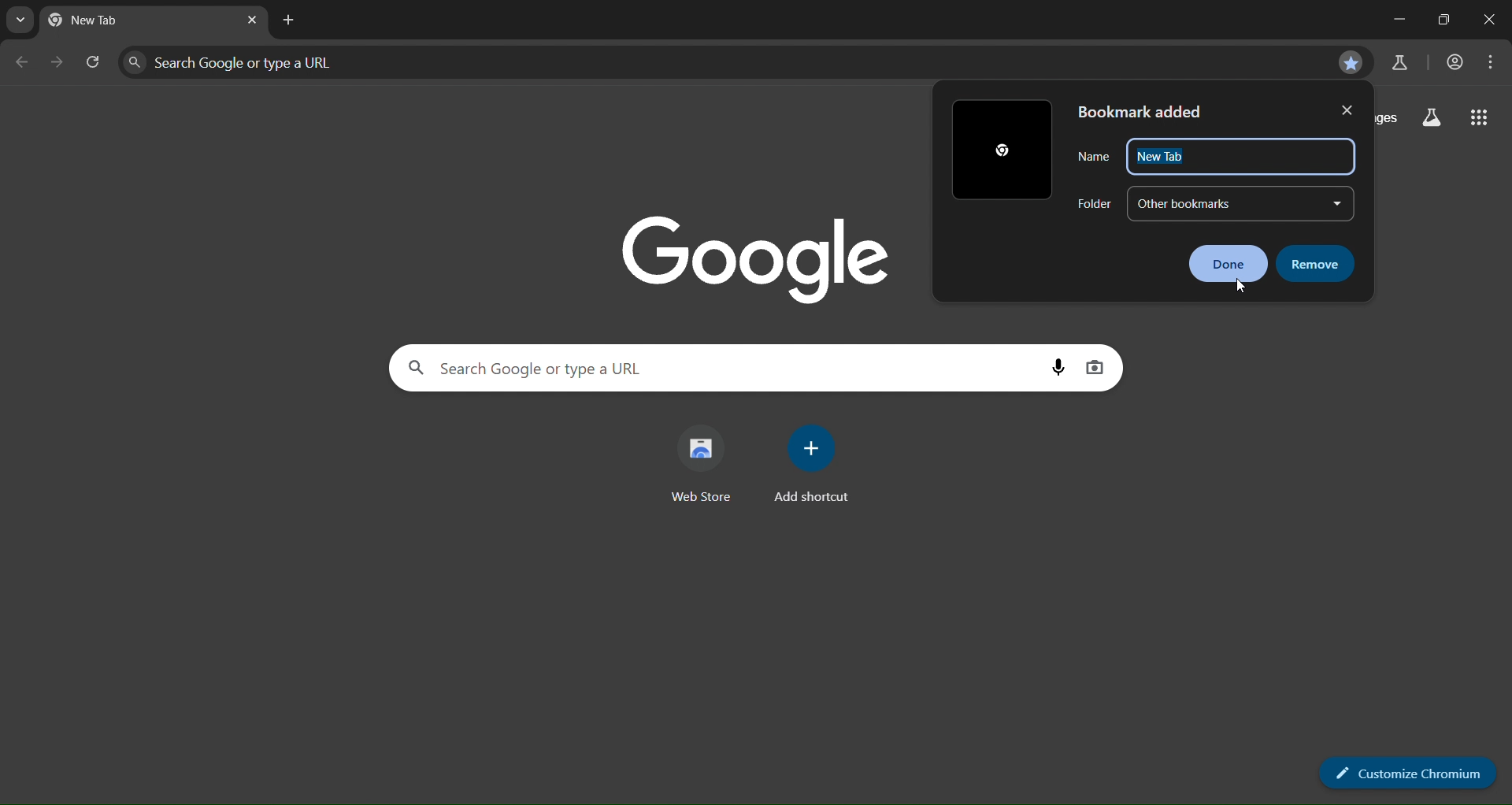 The width and height of the screenshot is (1512, 805). I want to click on Search Google or type a URL, so click(722, 61).